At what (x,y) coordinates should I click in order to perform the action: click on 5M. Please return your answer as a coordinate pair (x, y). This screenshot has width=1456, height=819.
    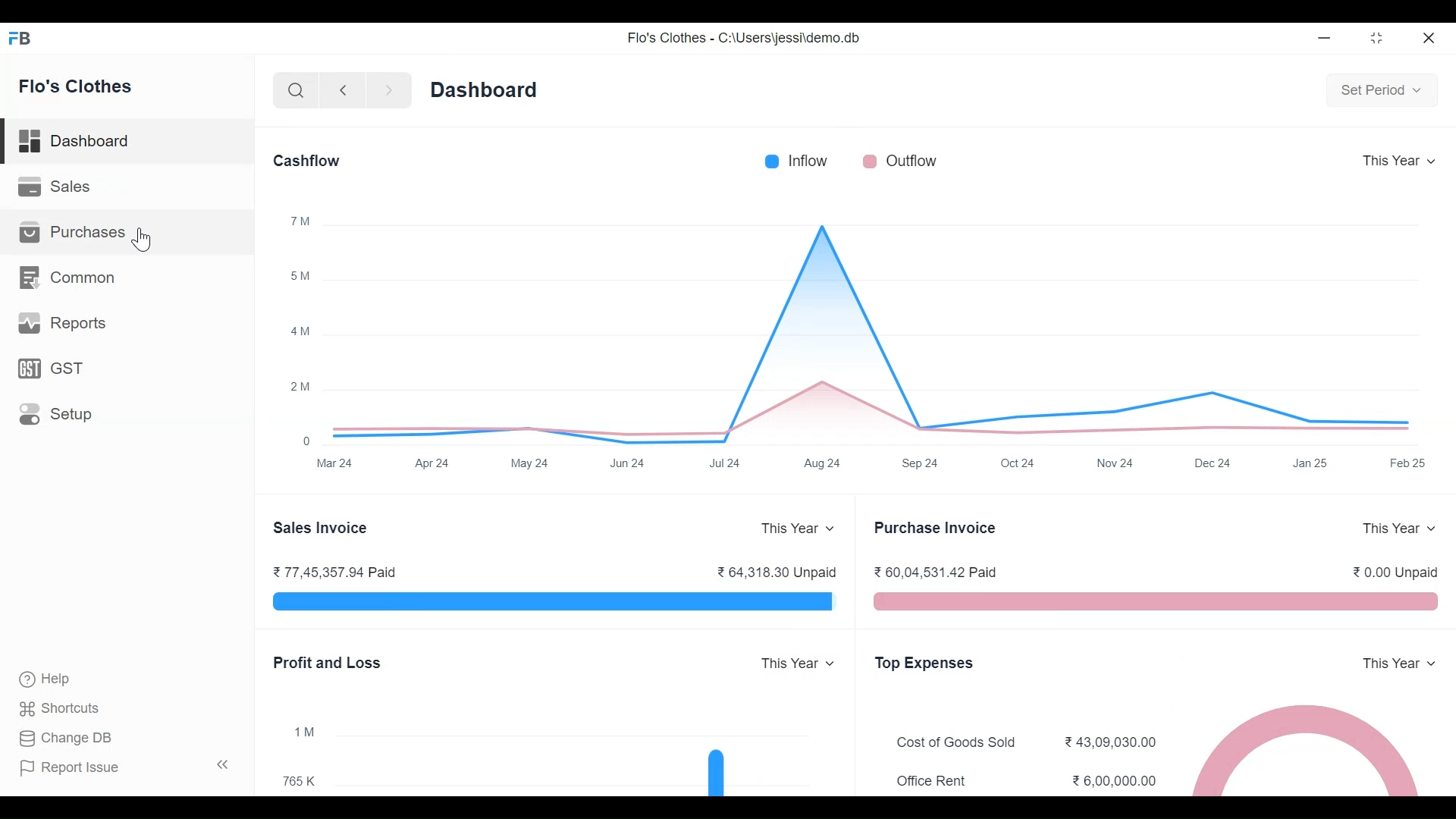
    Looking at the image, I should click on (301, 275).